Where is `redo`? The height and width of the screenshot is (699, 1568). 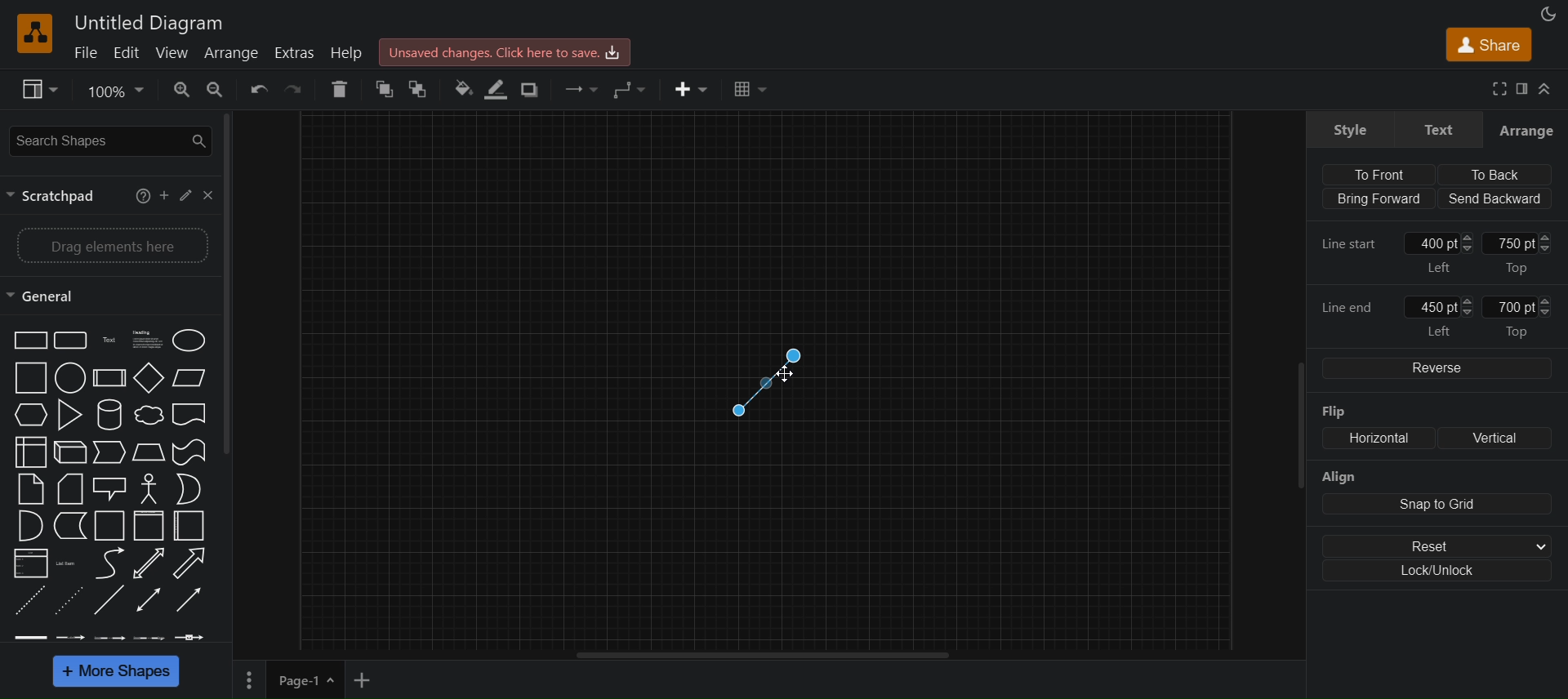
redo is located at coordinates (301, 90).